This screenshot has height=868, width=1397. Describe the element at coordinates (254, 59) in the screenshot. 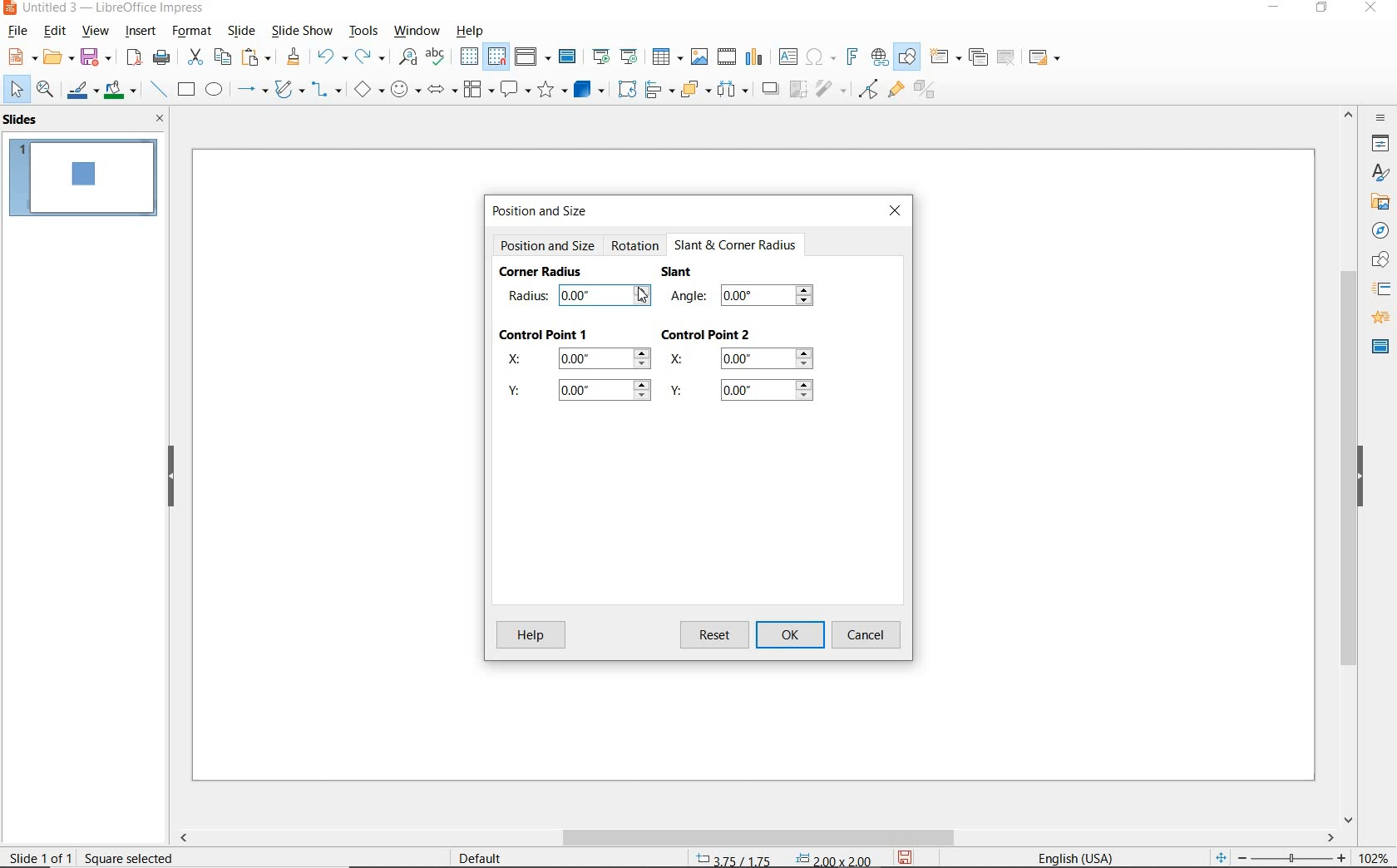

I see `paste` at that location.